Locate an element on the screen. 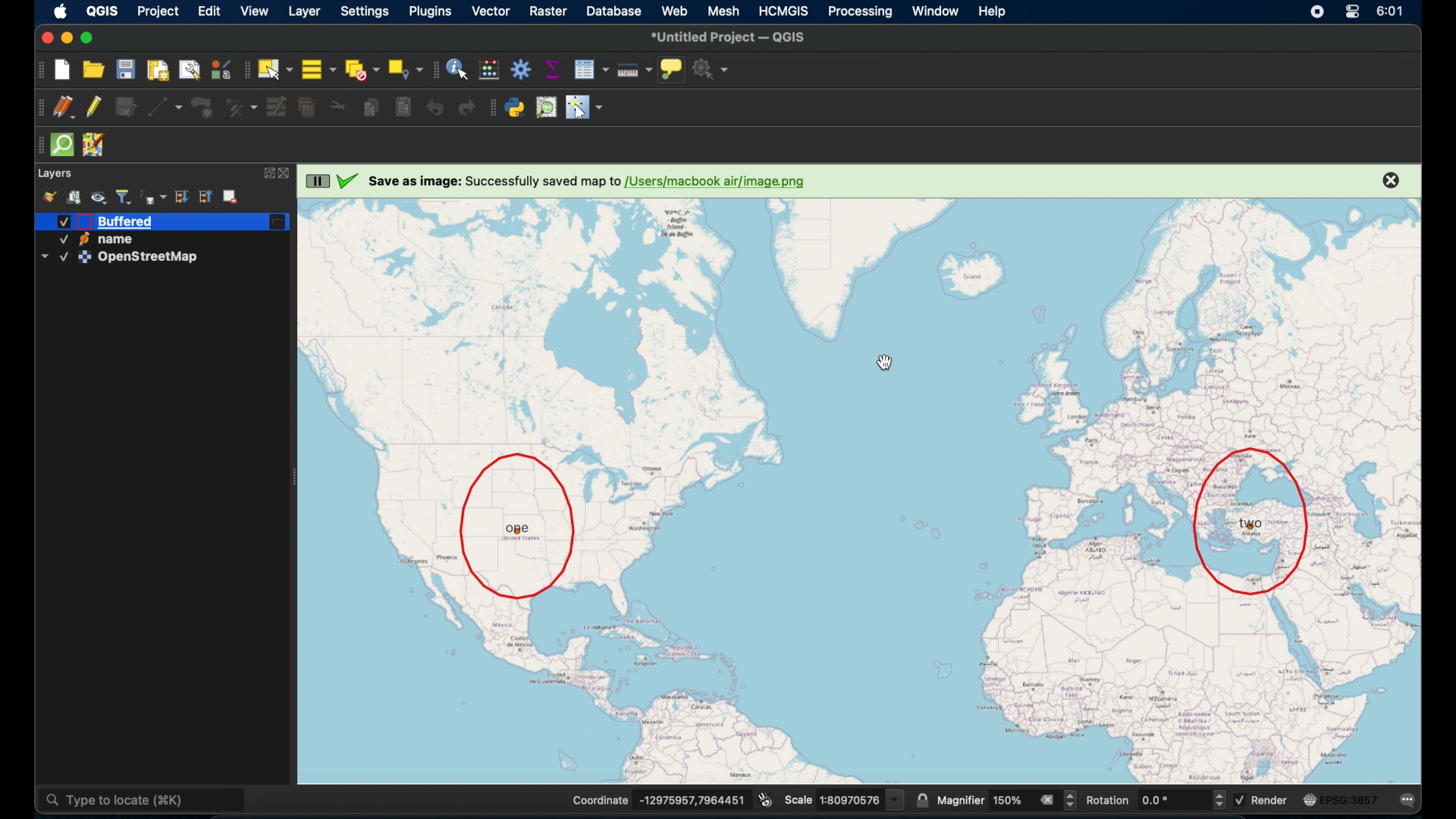 This screenshot has height=819, width=1456. layer is located at coordinates (303, 11).